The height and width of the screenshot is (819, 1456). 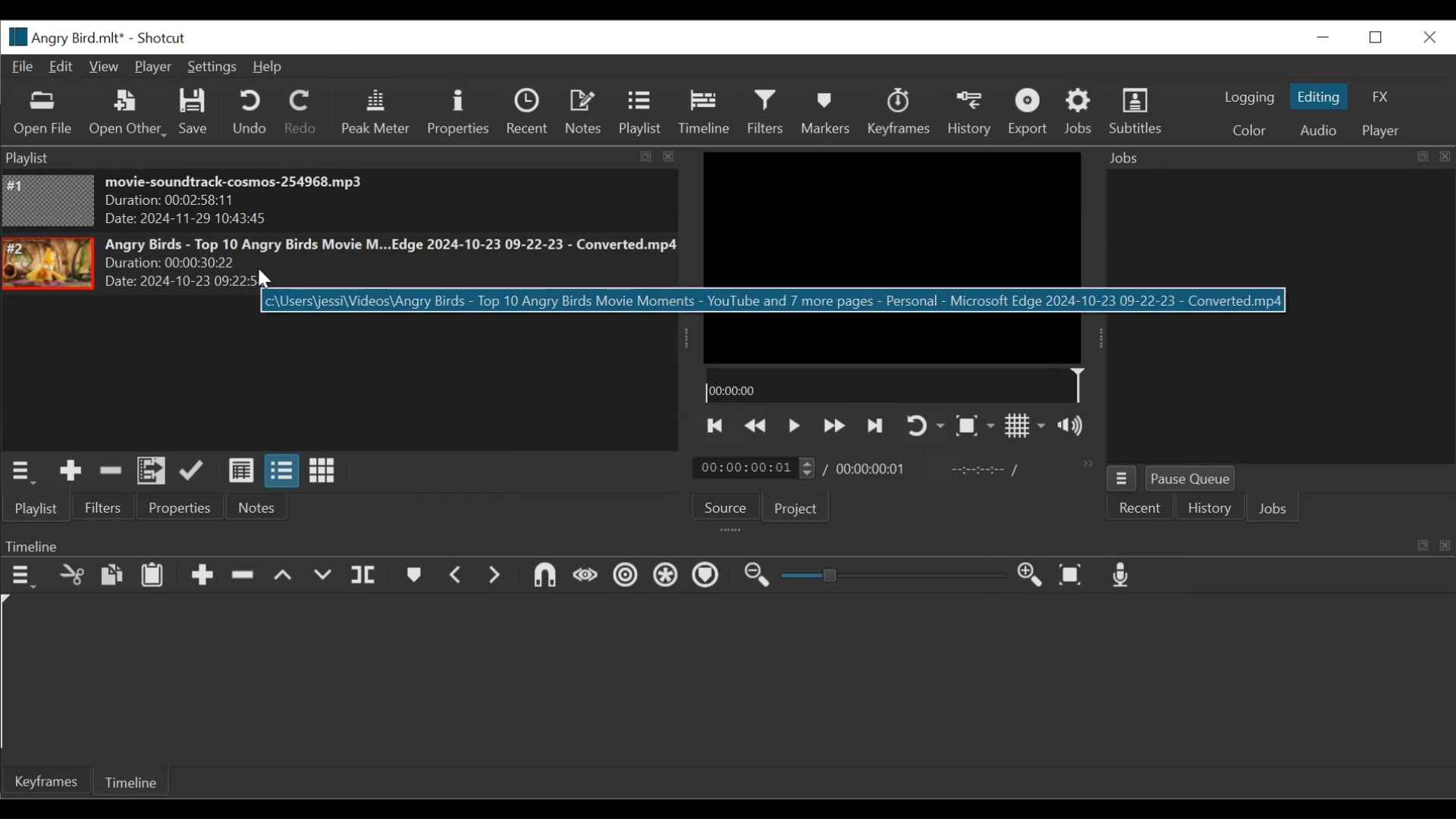 I want to click on Toggle play or pause, so click(x=795, y=426).